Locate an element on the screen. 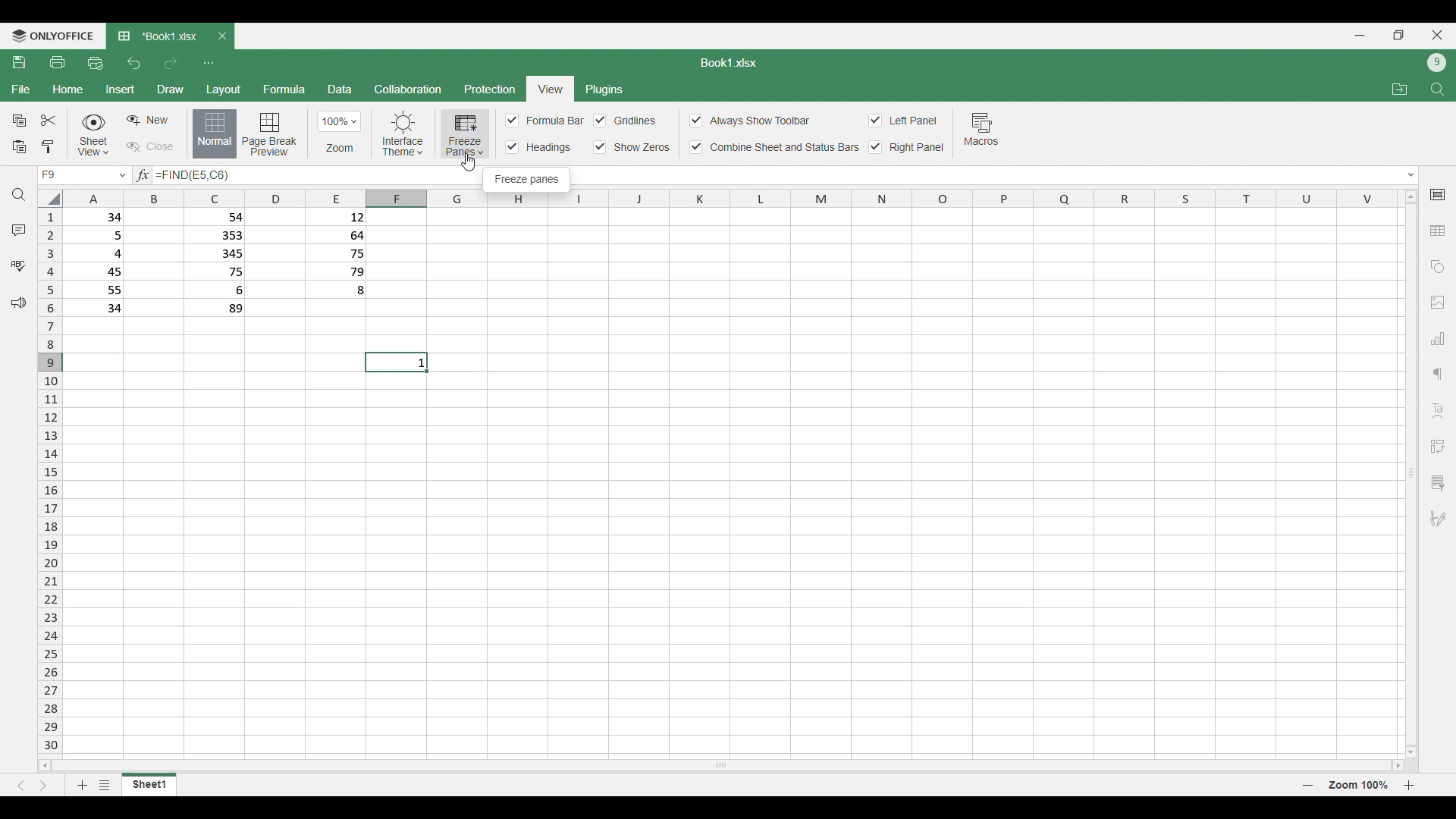 The width and height of the screenshot is (1456, 819). Cursor is located at coordinates (468, 162).